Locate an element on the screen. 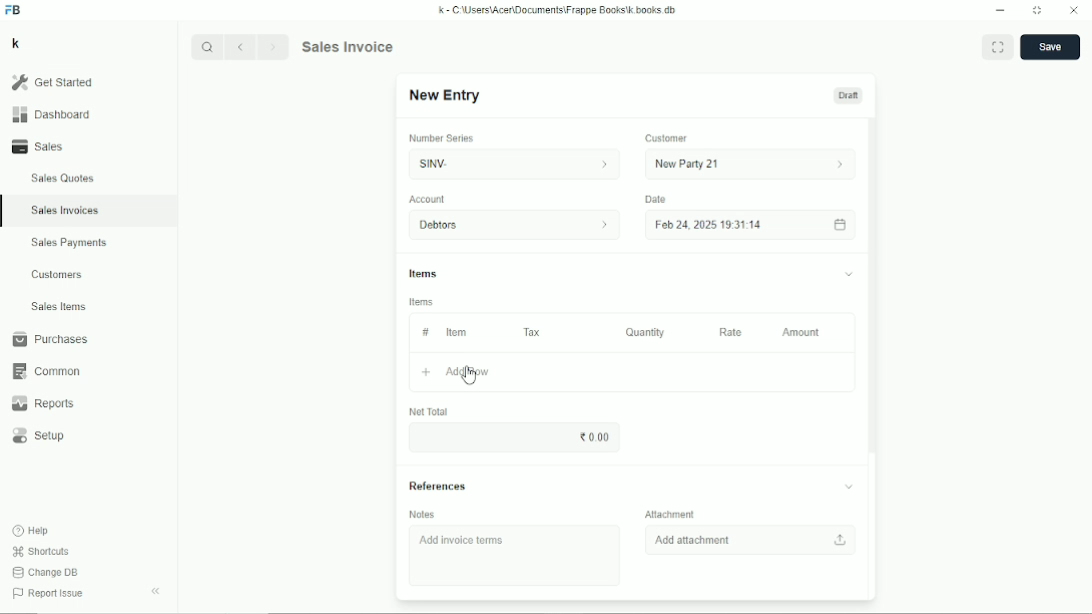  Report issue is located at coordinates (46, 595).